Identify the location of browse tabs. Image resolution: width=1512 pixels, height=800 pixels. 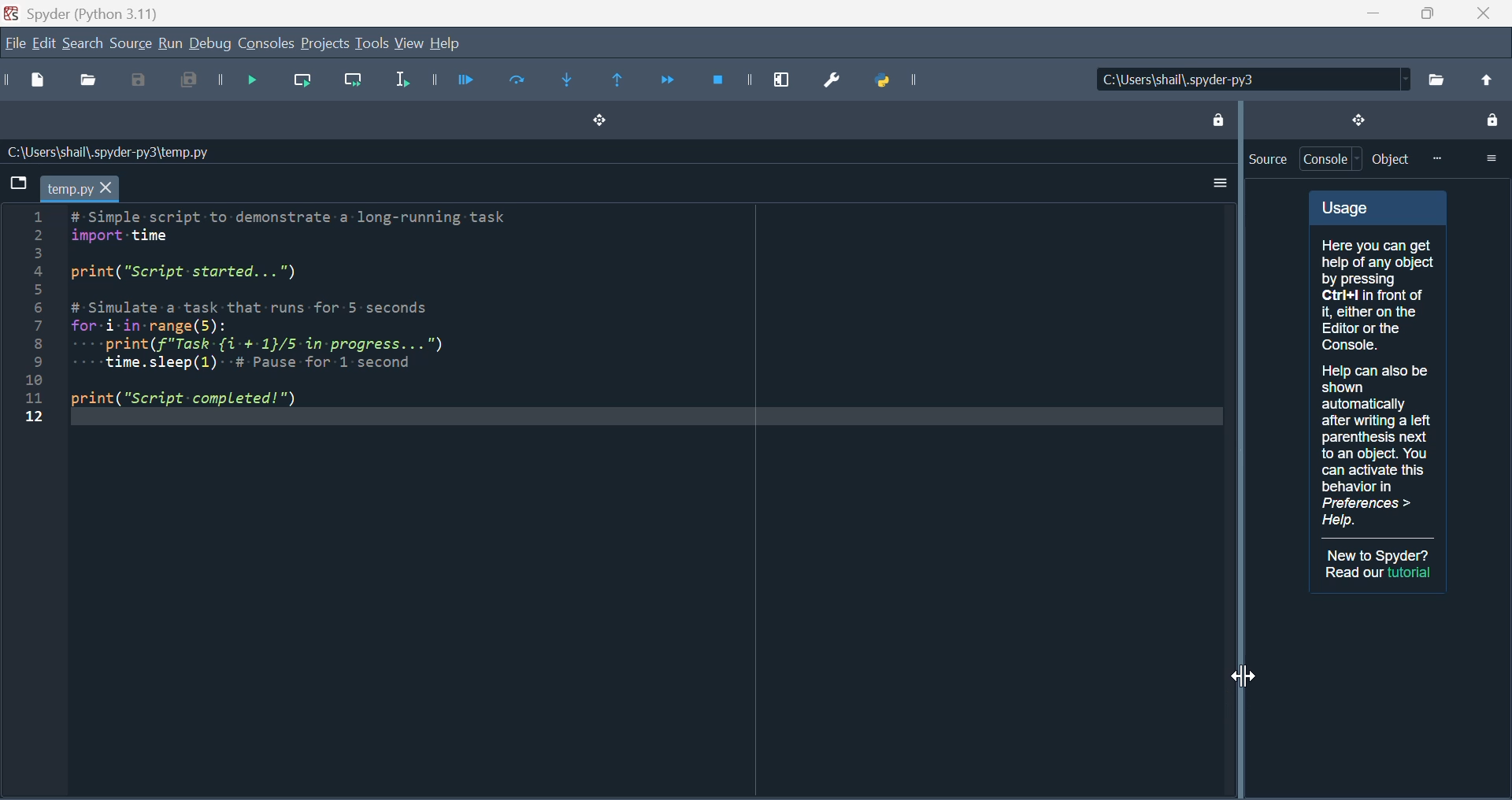
(17, 182).